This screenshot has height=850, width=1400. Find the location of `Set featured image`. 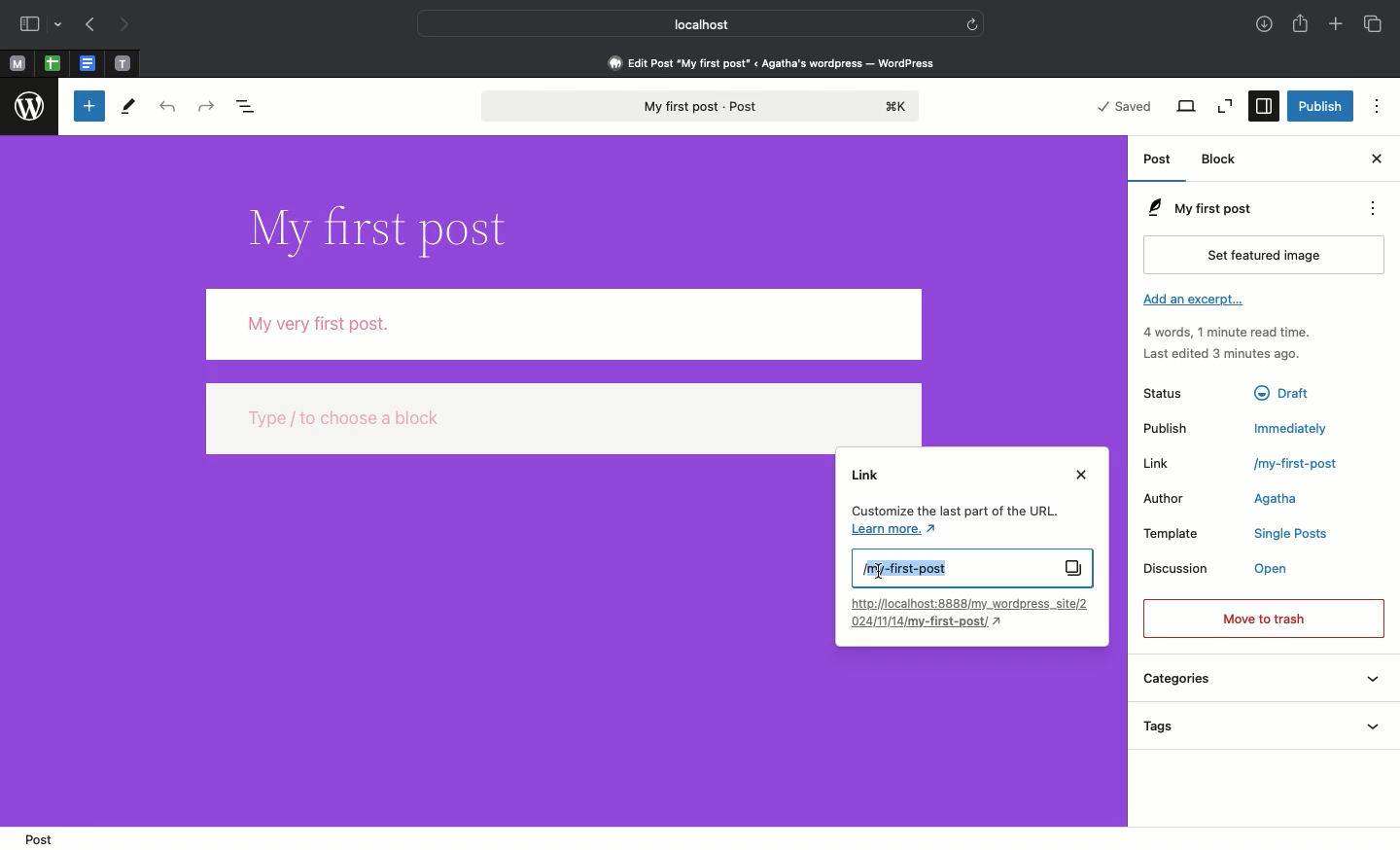

Set featured image is located at coordinates (1264, 254).